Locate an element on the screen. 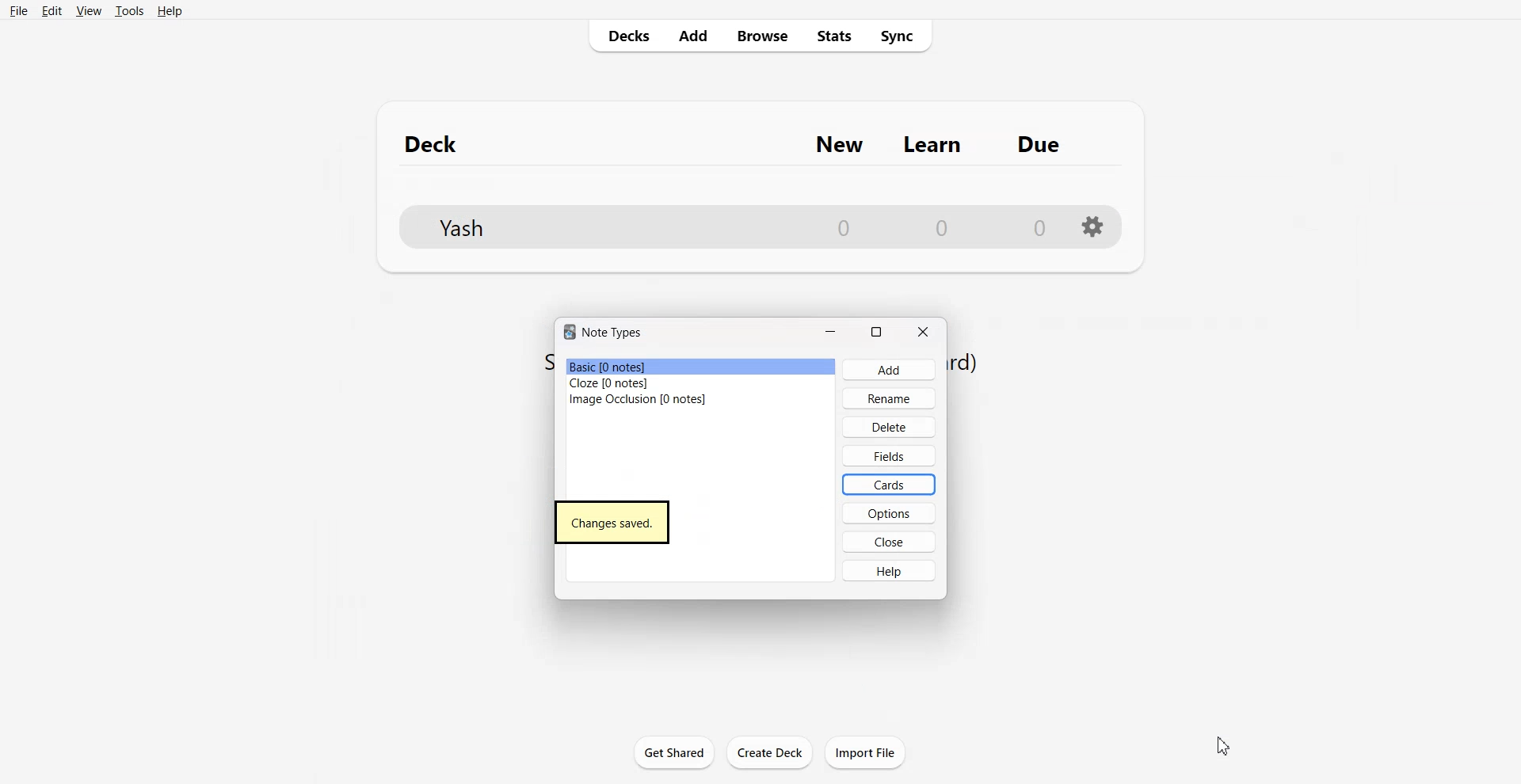 This screenshot has height=784, width=1521. Get Shared is located at coordinates (674, 752).